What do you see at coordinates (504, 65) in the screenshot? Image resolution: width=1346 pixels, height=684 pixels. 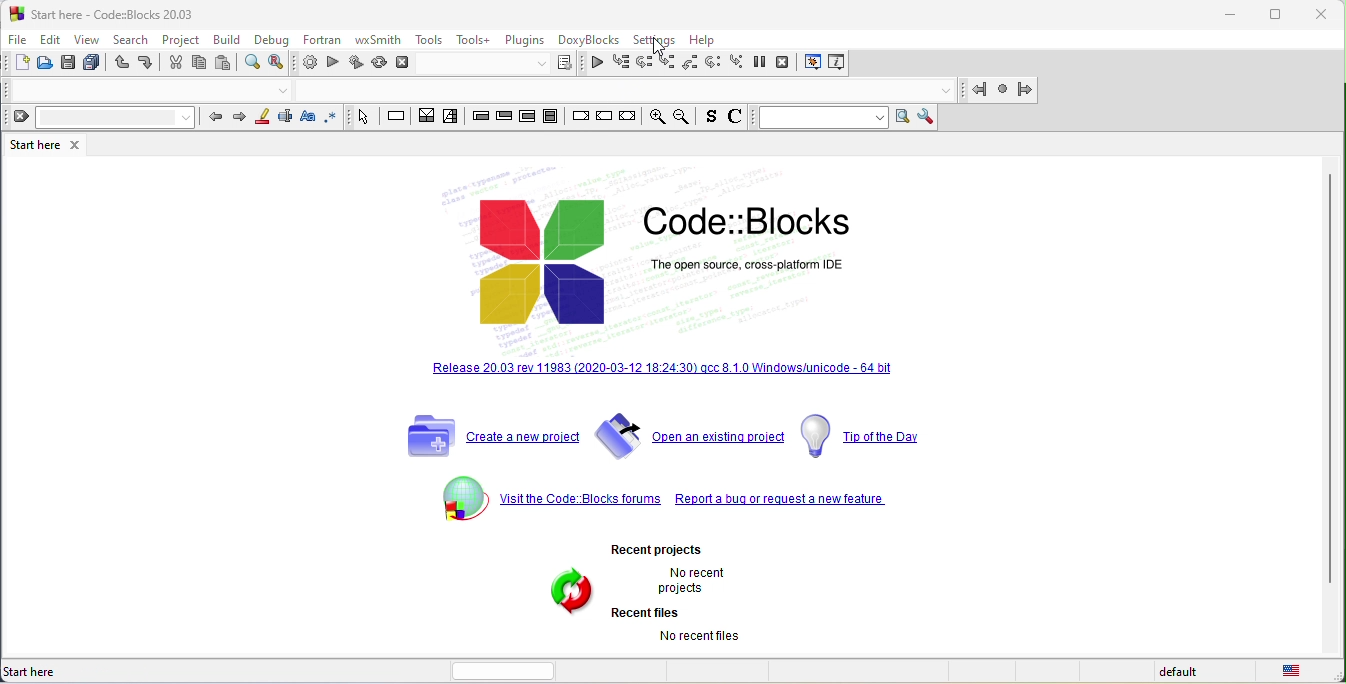 I see `select target dialog` at bounding box center [504, 65].